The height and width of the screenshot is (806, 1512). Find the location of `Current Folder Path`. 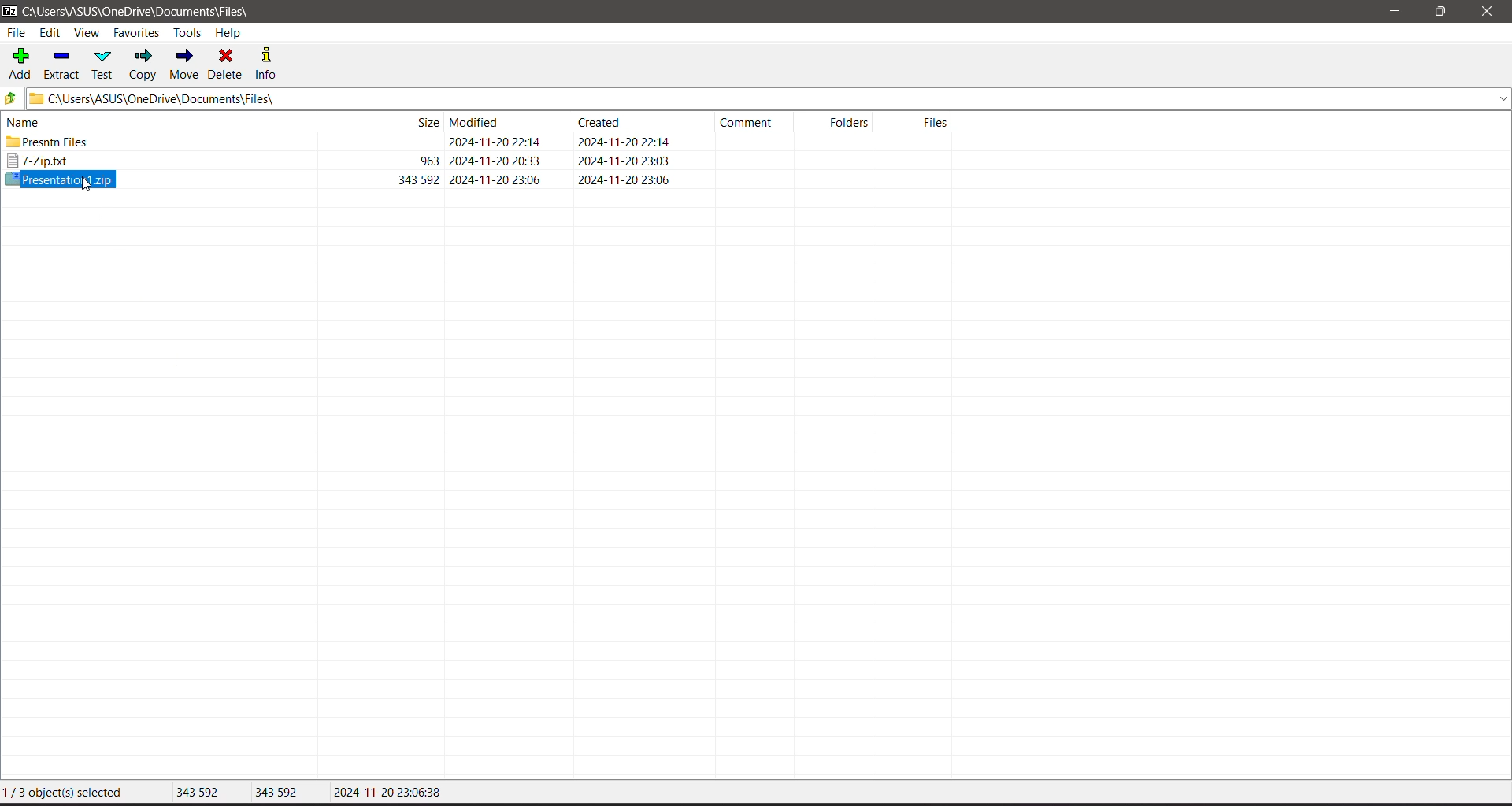

Current Folder Path is located at coordinates (769, 98).